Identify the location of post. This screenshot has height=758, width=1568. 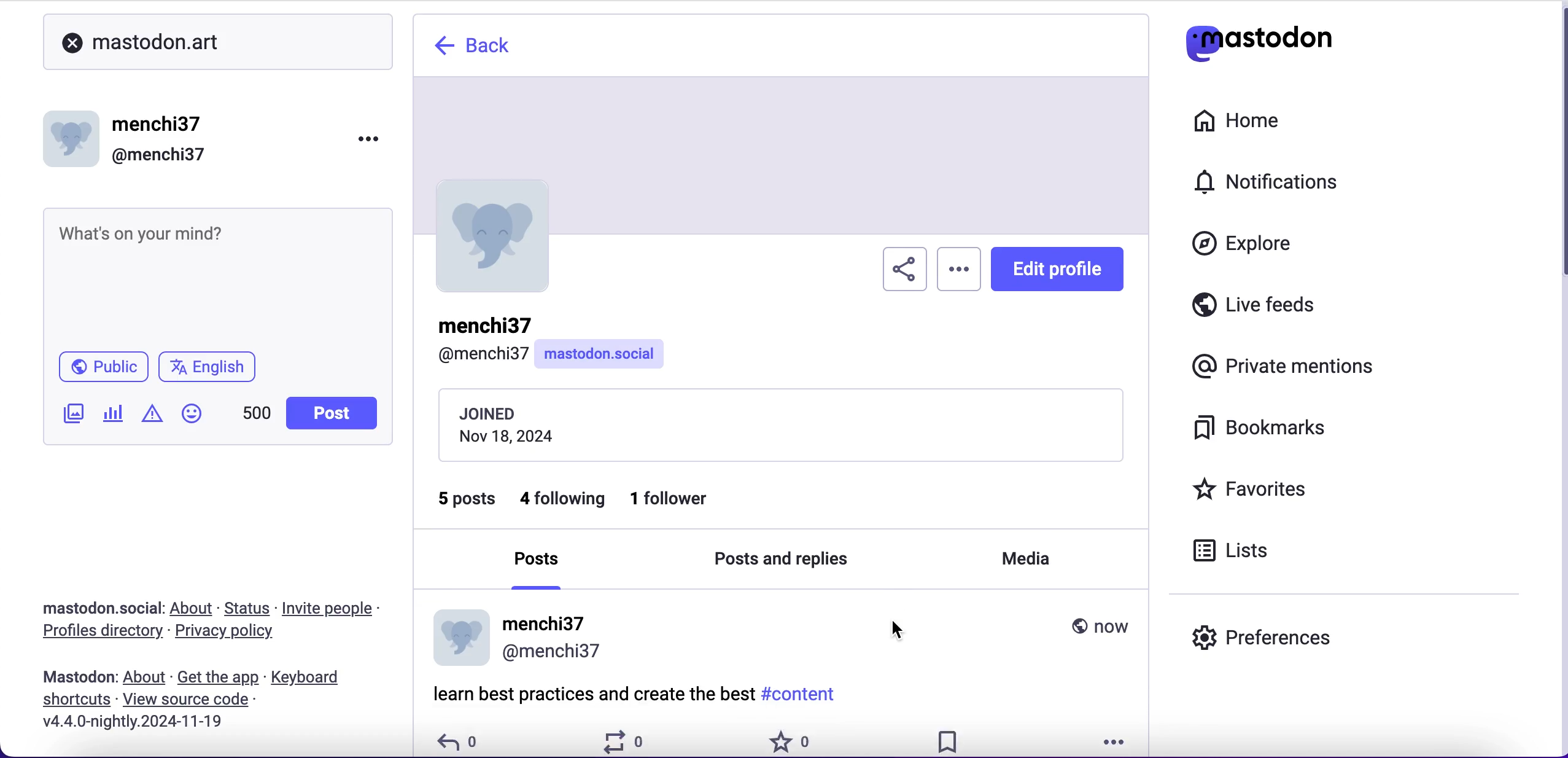
(330, 413).